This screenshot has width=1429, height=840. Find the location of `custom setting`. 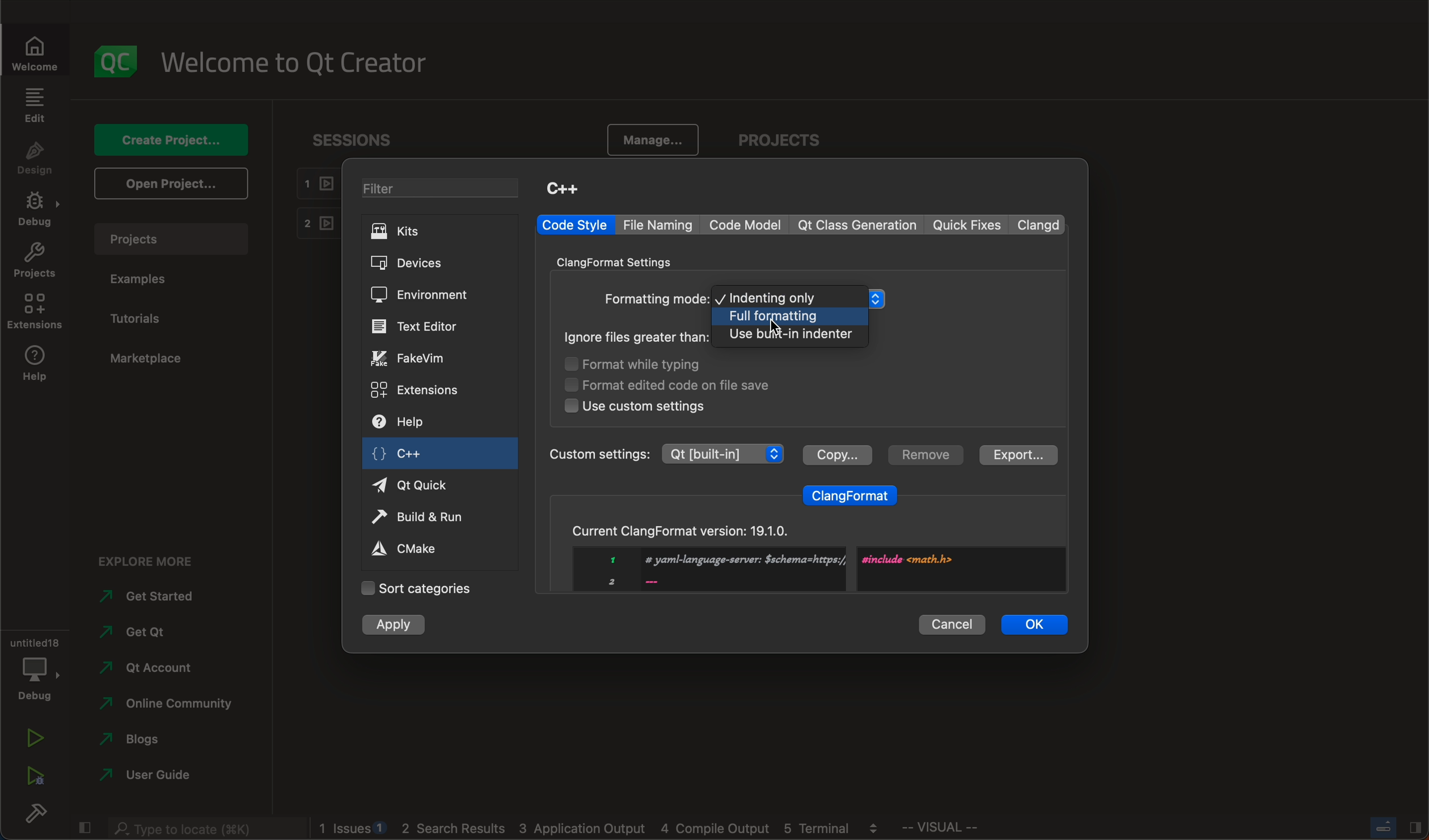

custom setting is located at coordinates (665, 453).